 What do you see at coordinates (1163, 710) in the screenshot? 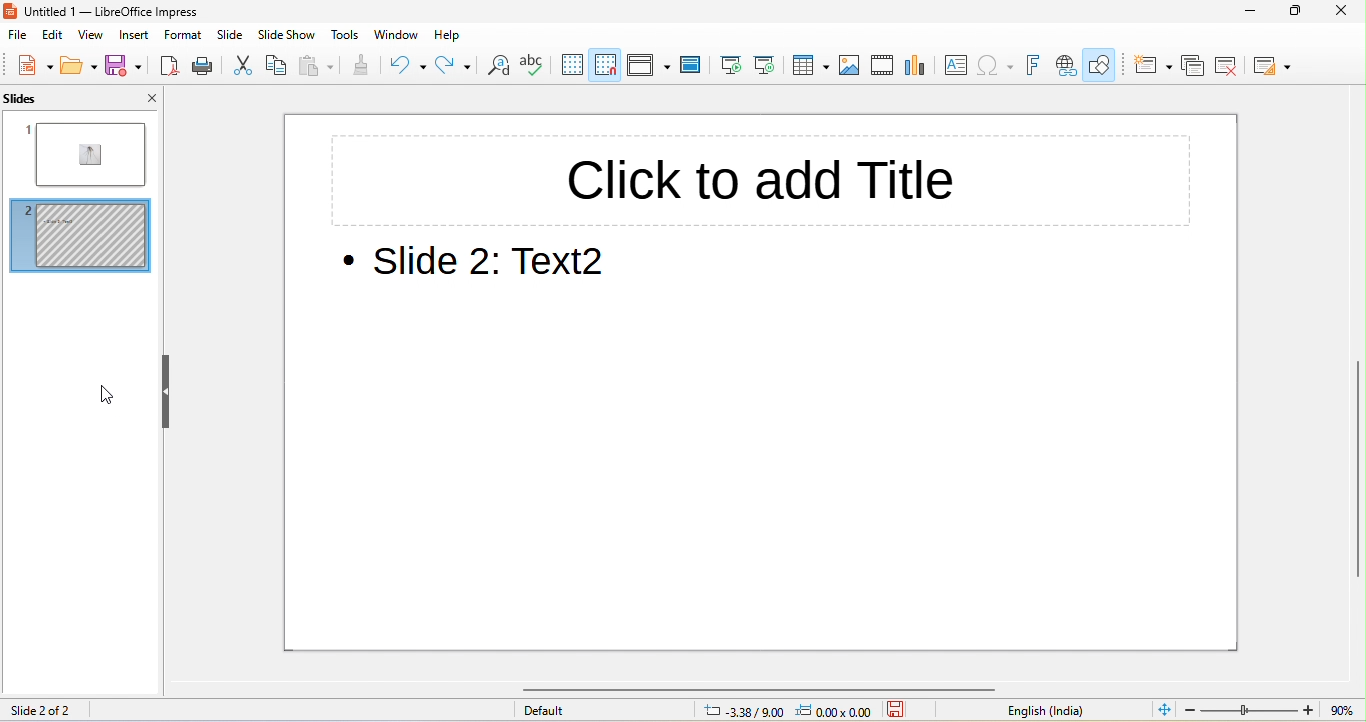
I see `fit slide to current window` at bounding box center [1163, 710].